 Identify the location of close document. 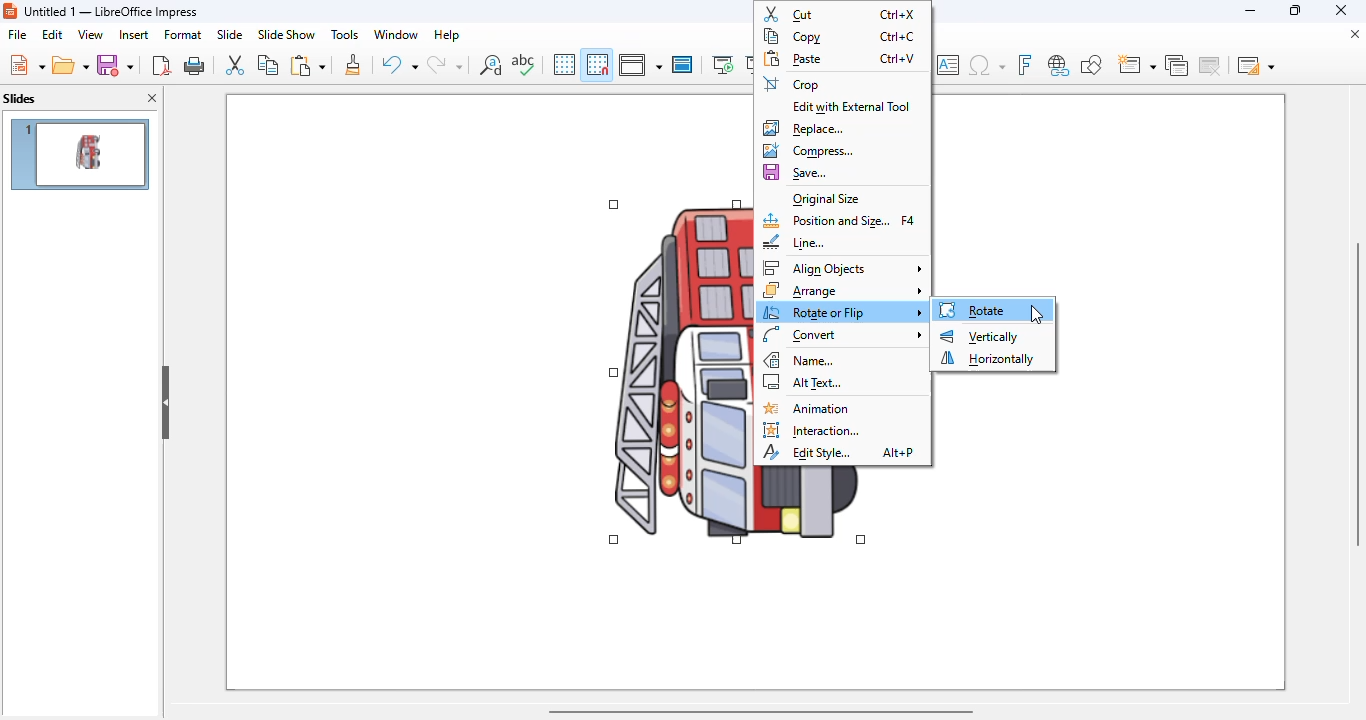
(1354, 33).